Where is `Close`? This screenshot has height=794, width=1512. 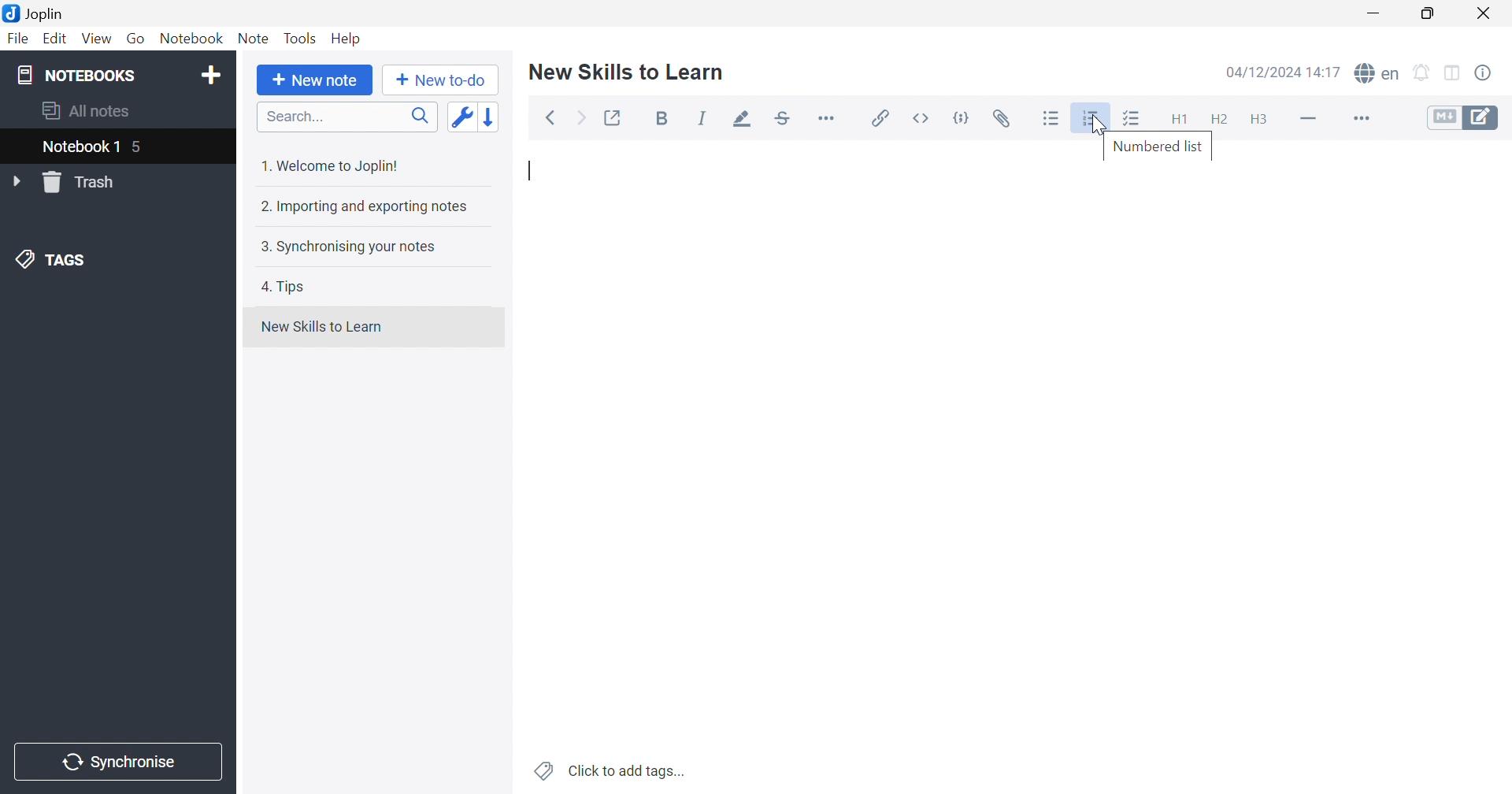 Close is located at coordinates (1484, 14).